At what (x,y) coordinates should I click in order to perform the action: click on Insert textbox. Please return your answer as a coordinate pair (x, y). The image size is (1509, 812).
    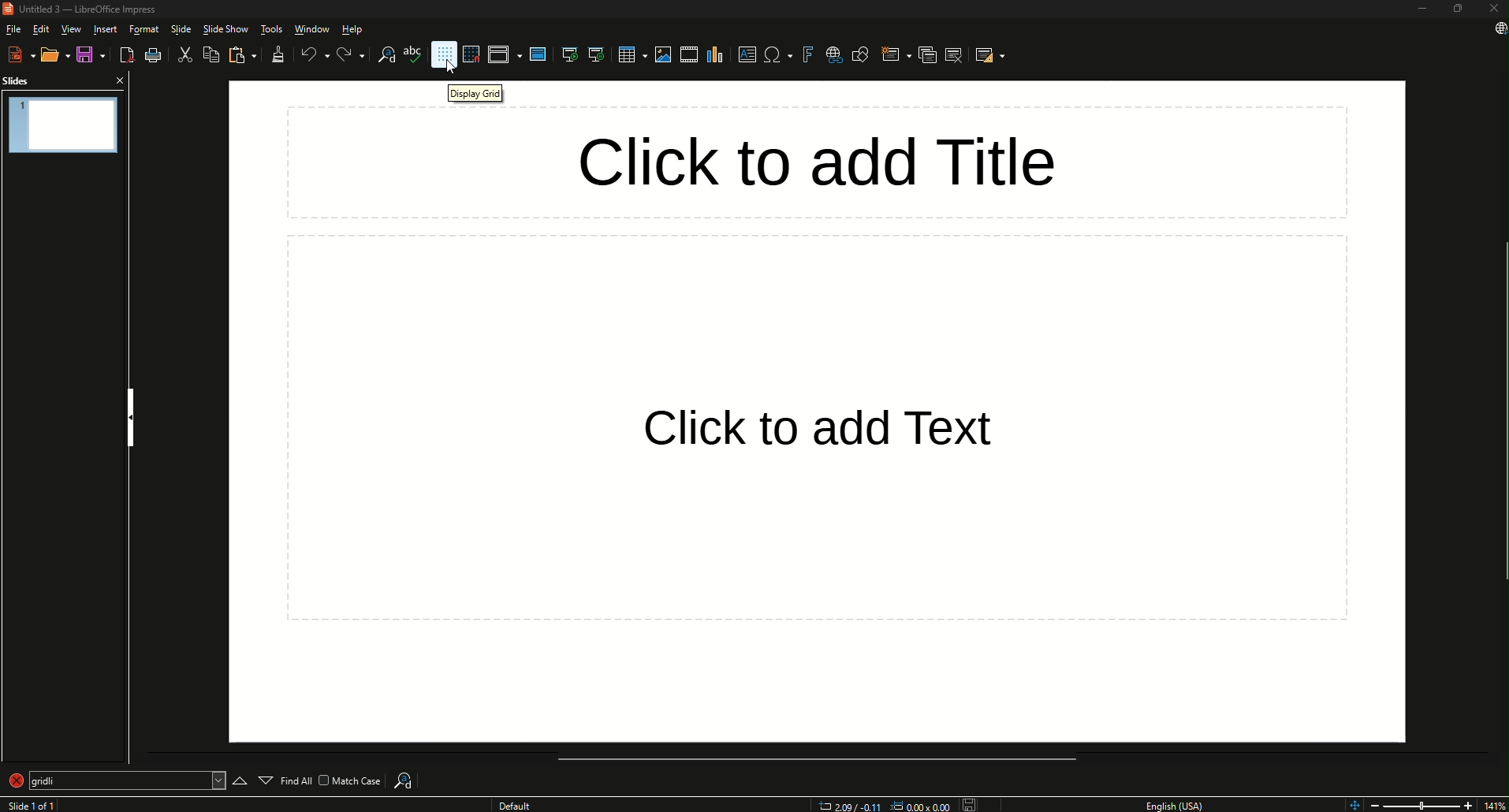
    Looking at the image, I should click on (747, 56).